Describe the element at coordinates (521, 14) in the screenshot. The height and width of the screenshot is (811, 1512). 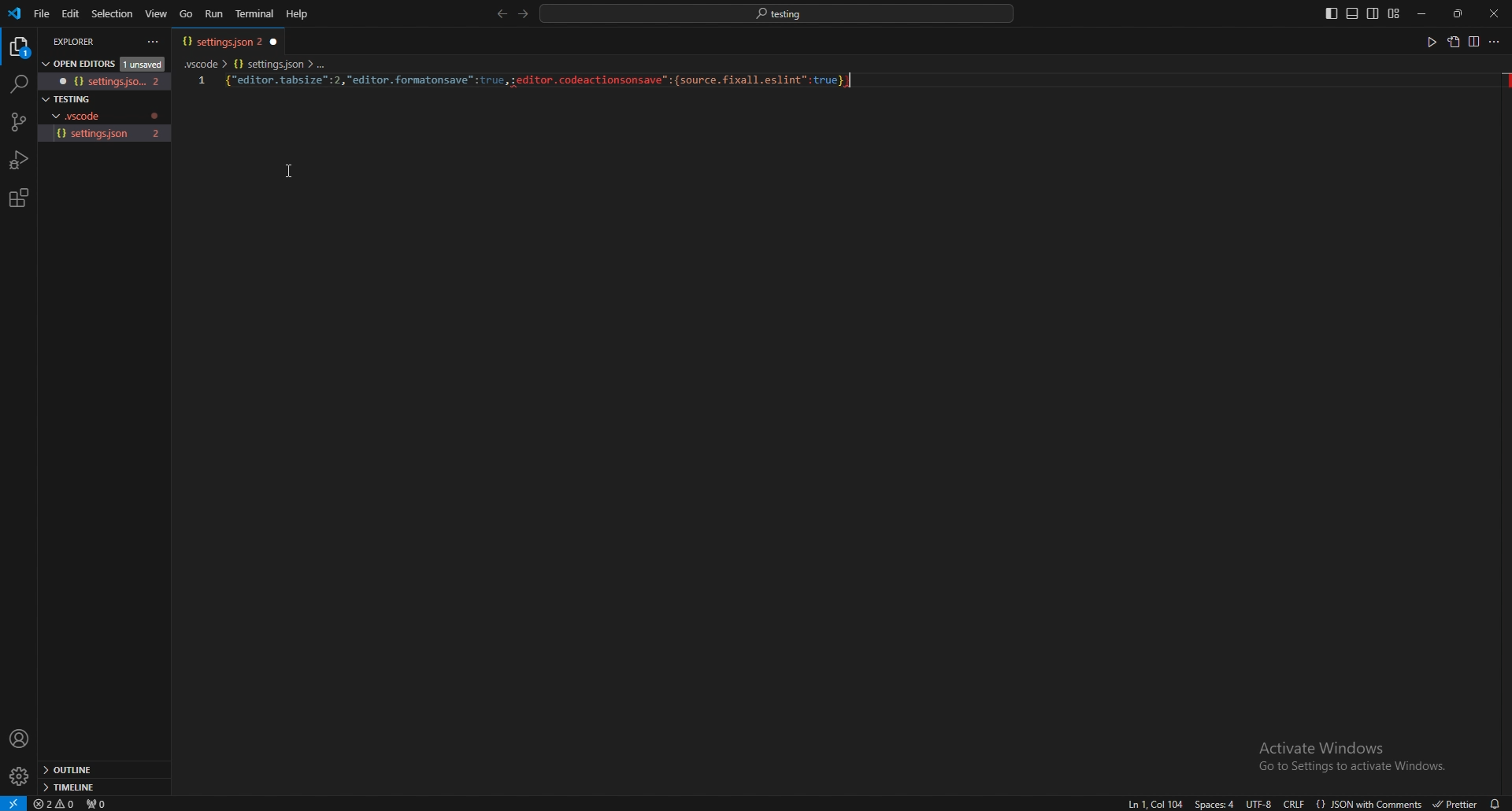
I see `forward` at that location.